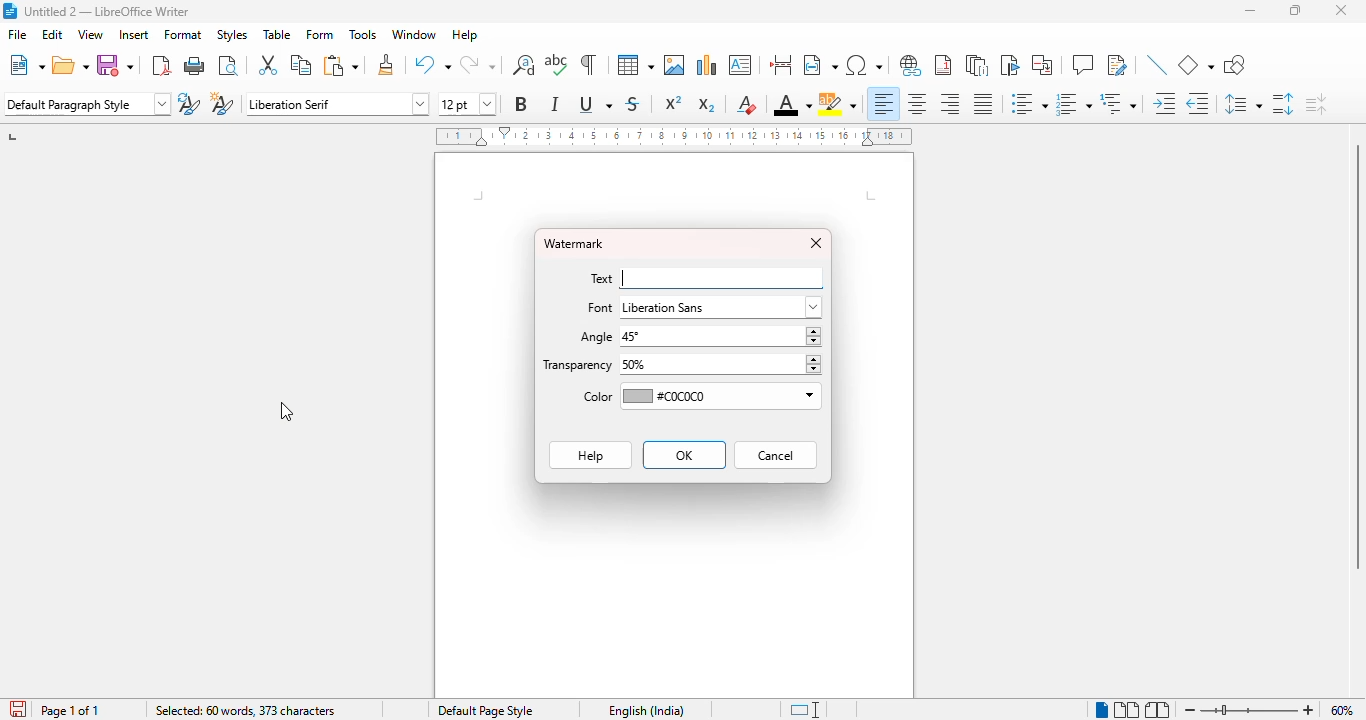  I want to click on file, so click(19, 34).